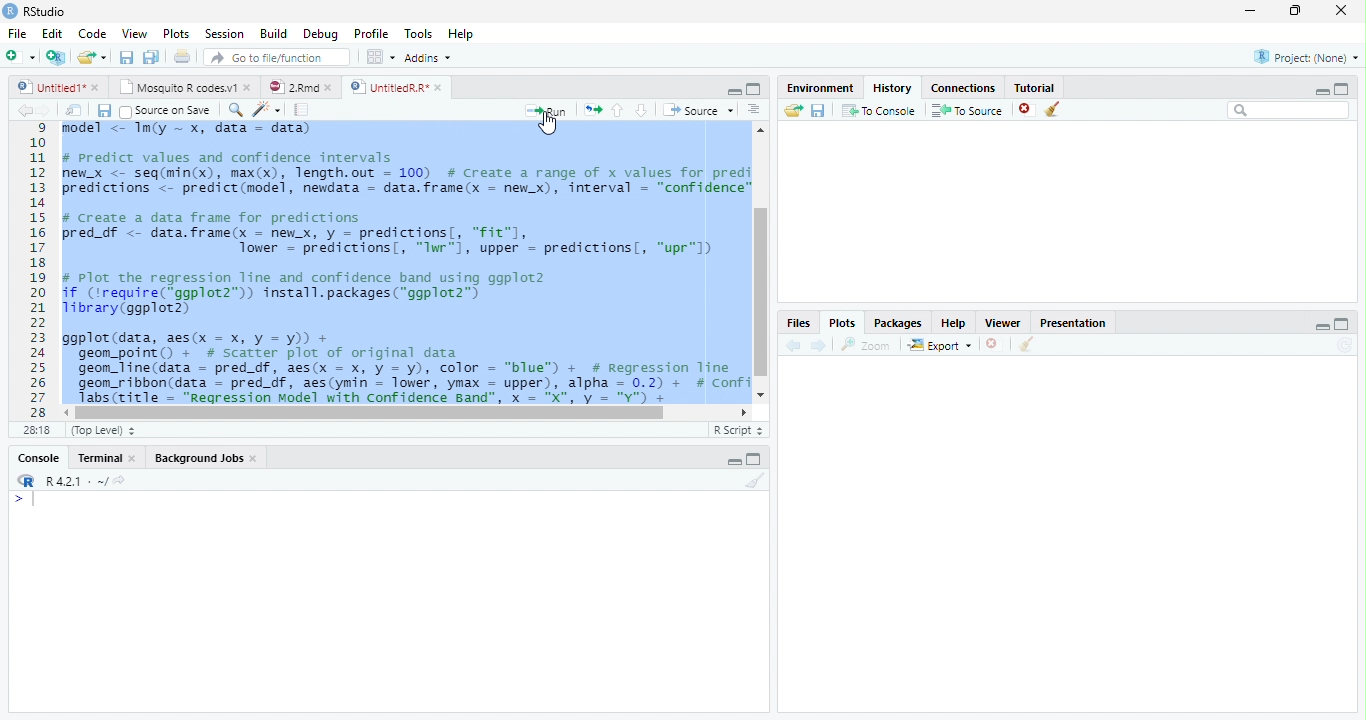 The width and height of the screenshot is (1366, 720). What do you see at coordinates (35, 128) in the screenshot?
I see `1` at bounding box center [35, 128].